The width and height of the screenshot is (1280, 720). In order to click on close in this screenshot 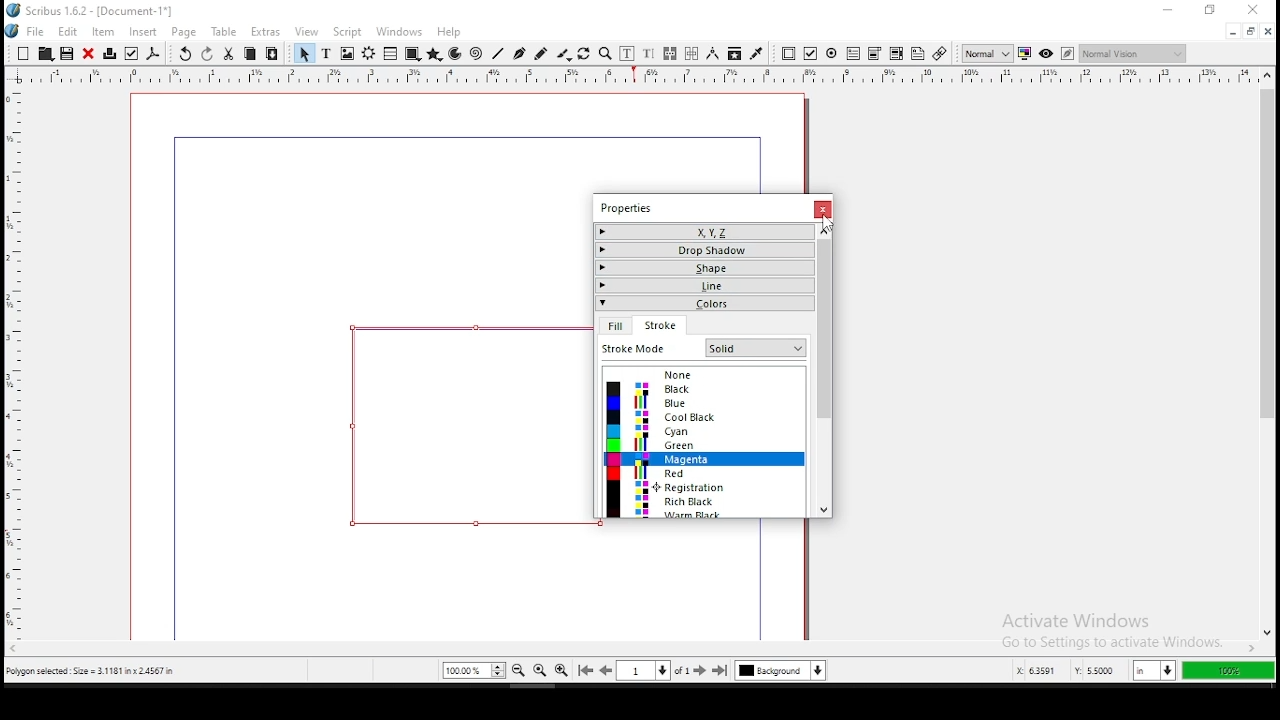, I will do `click(1268, 32)`.